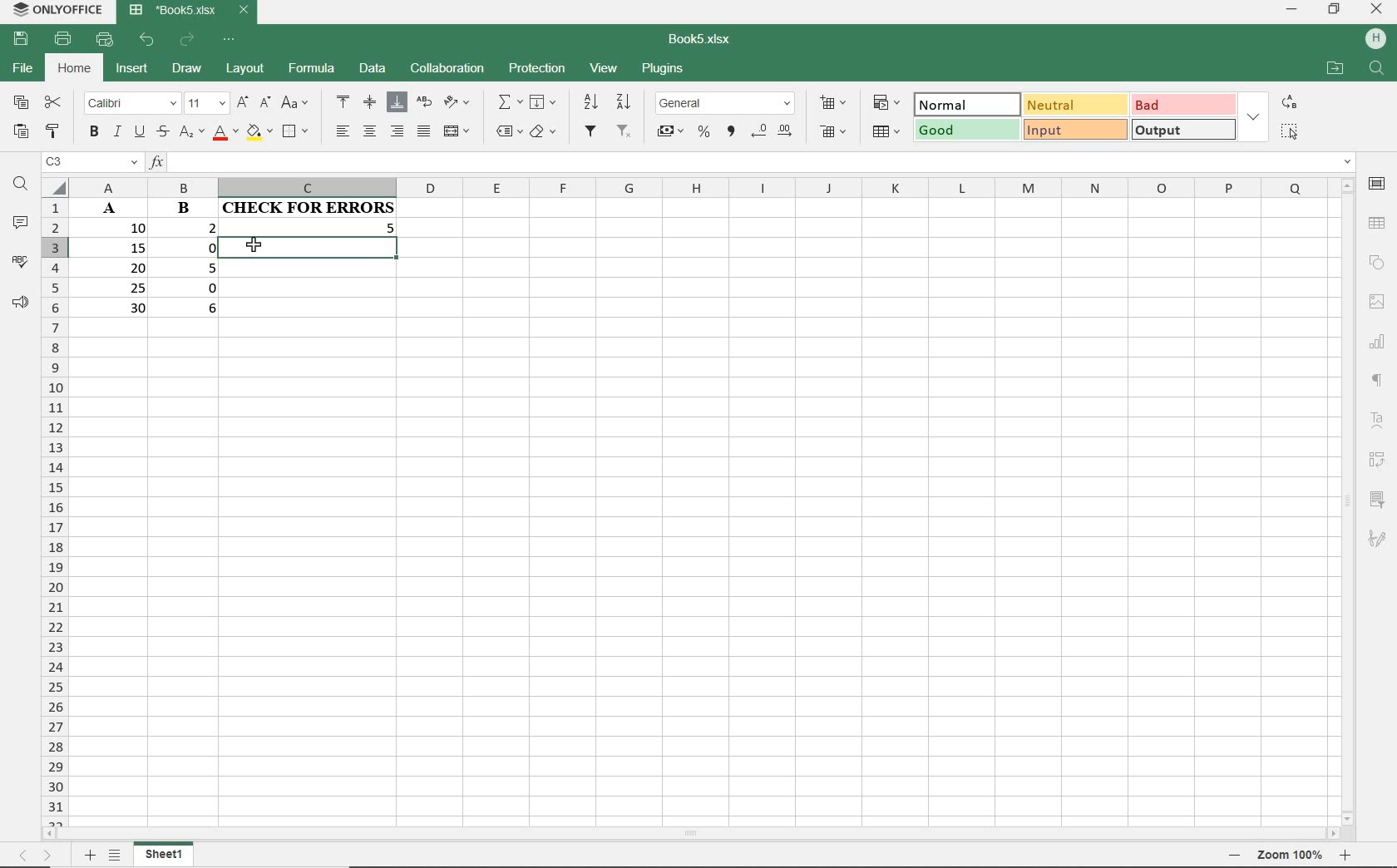 This screenshot has width=1397, height=868. What do you see at coordinates (1377, 301) in the screenshot?
I see `IMAGE` at bounding box center [1377, 301].